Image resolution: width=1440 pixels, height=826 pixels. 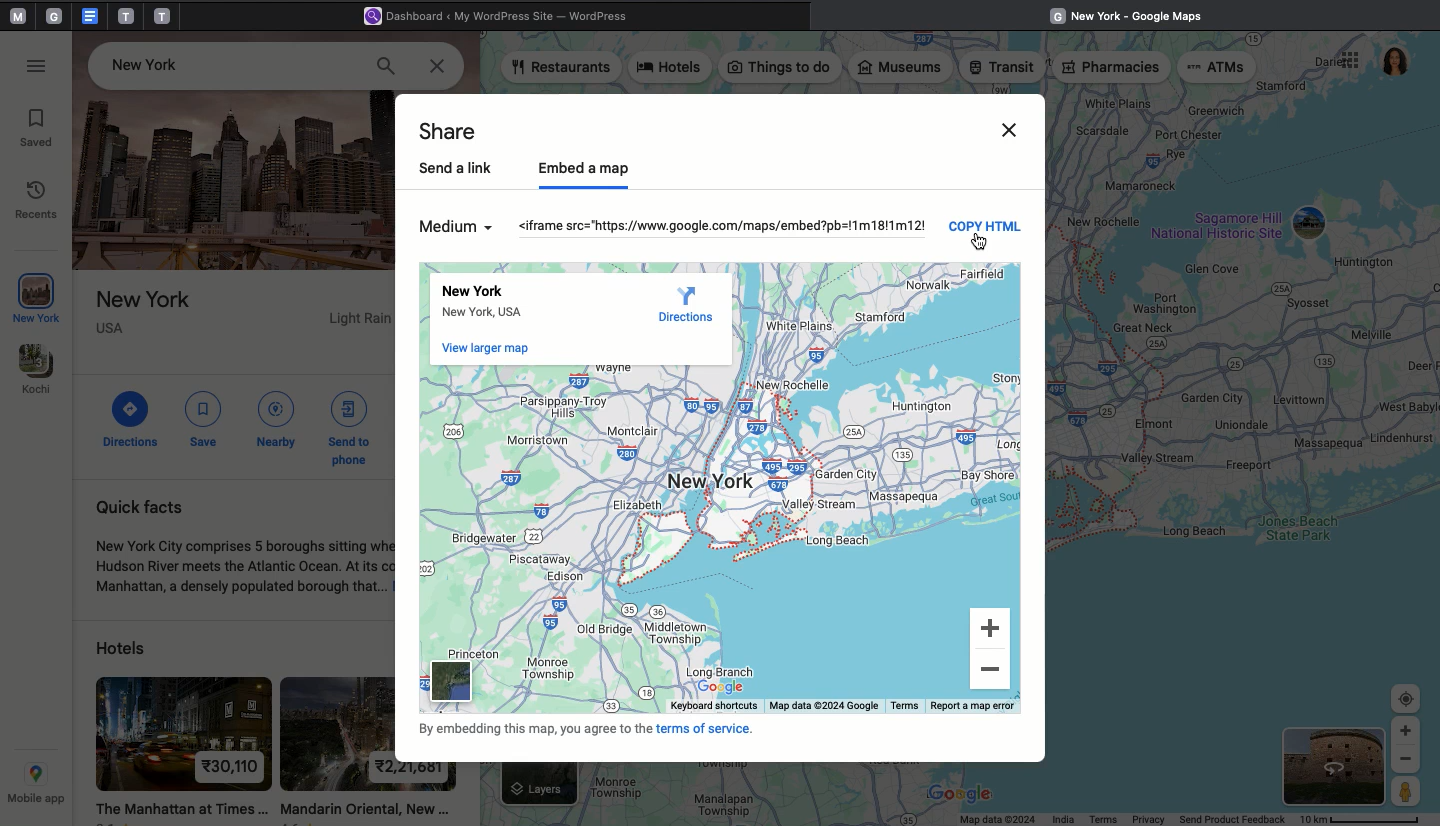 What do you see at coordinates (504, 304) in the screenshot?
I see `New York` at bounding box center [504, 304].